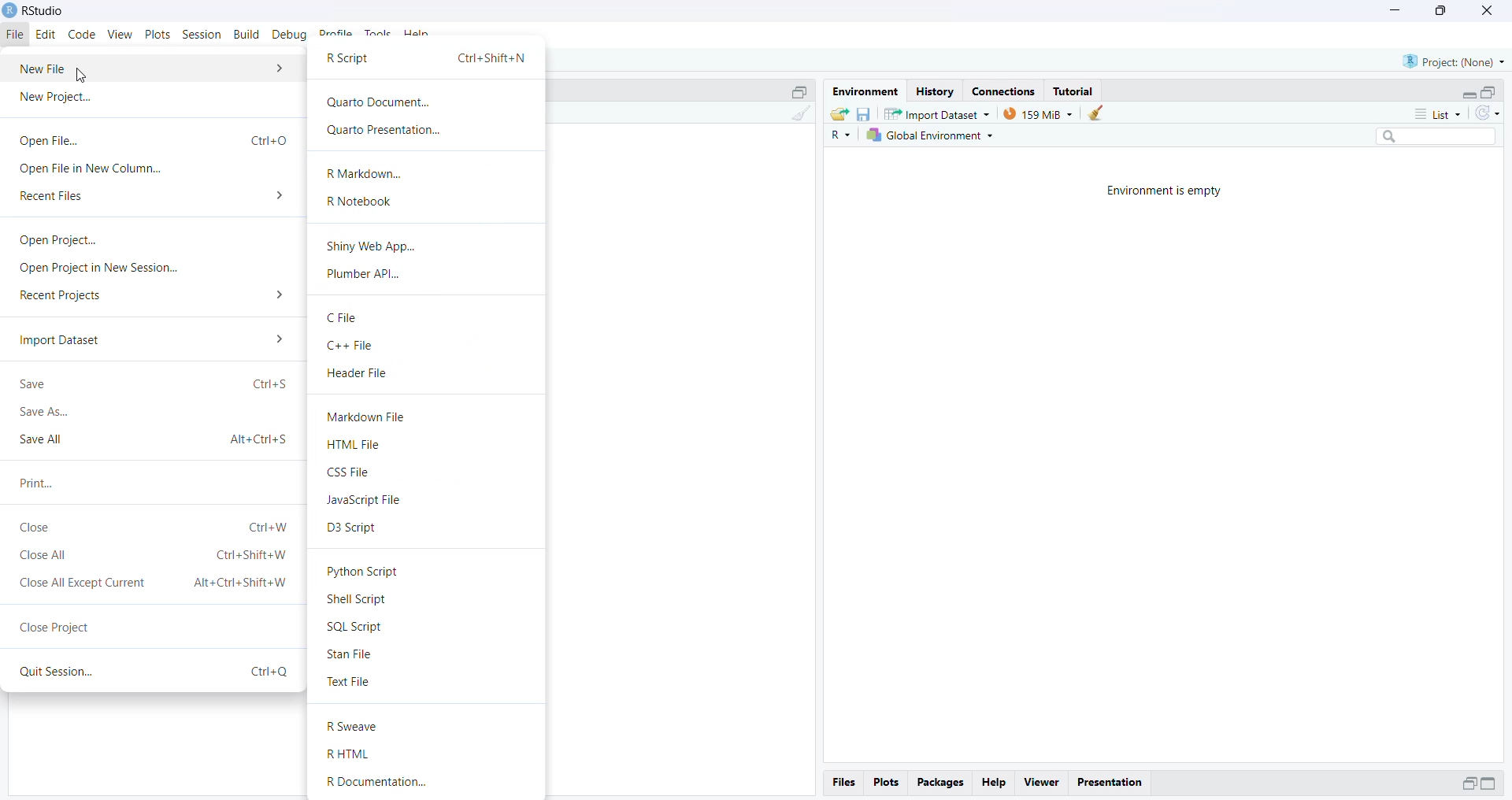  I want to click on Recent Projects >, so click(154, 297).